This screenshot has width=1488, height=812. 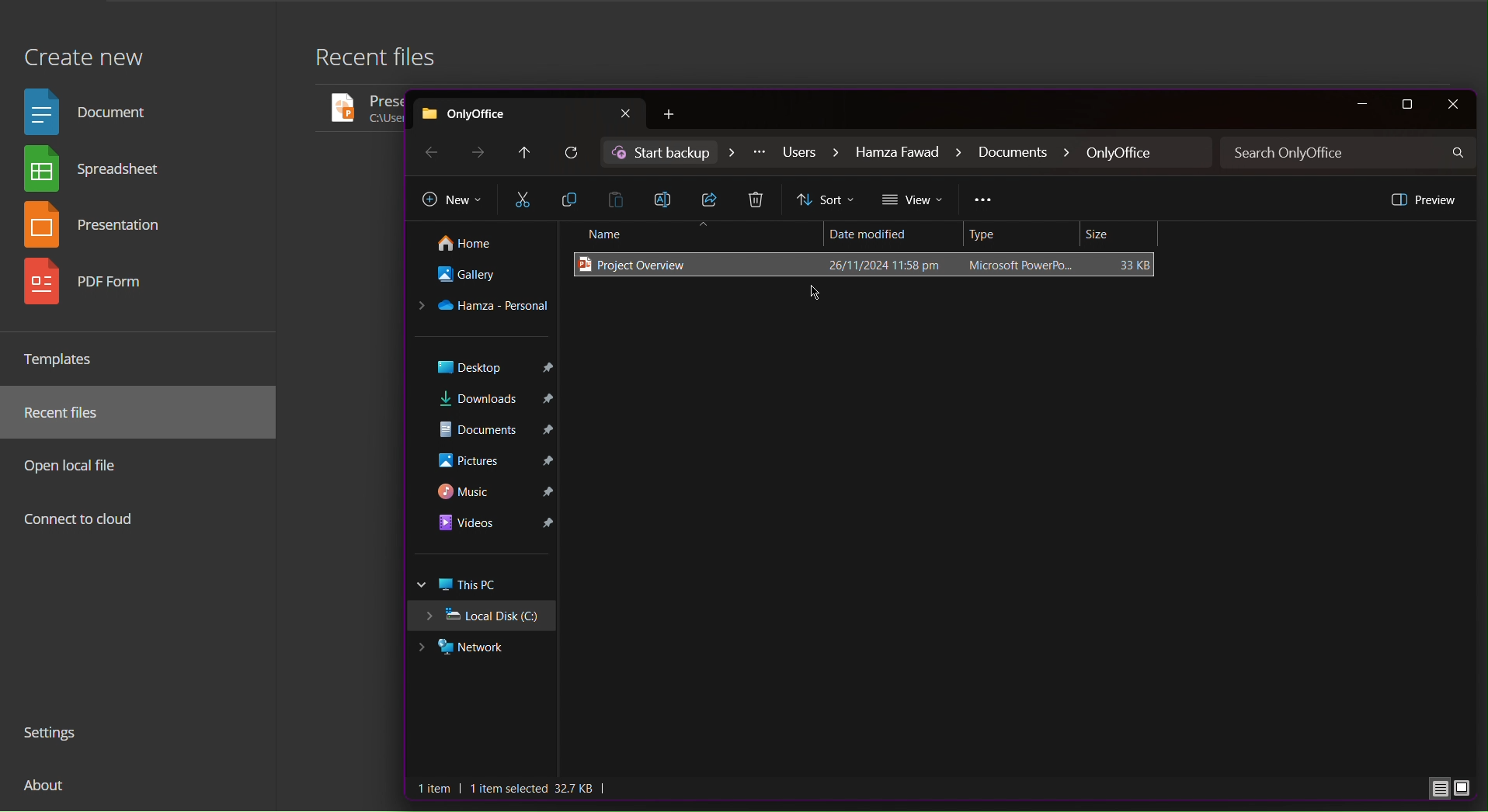 What do you see at coordinates (514, 789) in the screenshot?
I see `litem | 1item selected 327KB |` at bounding box center [514, 789].